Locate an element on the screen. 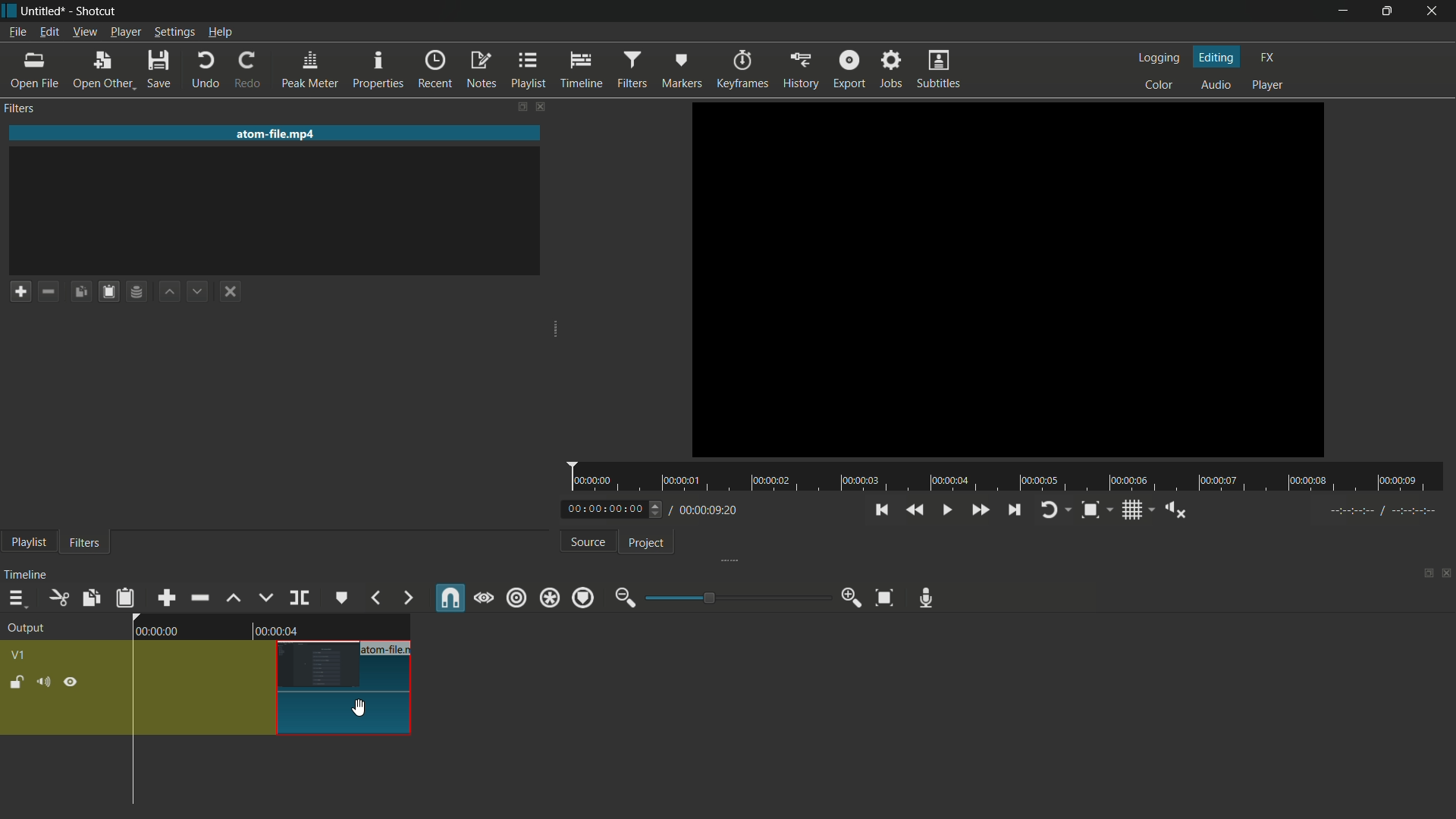 Image resolution: width=1456 pixels, height=819 pixels. toggle zoom is located at coordinates (1090, 510).